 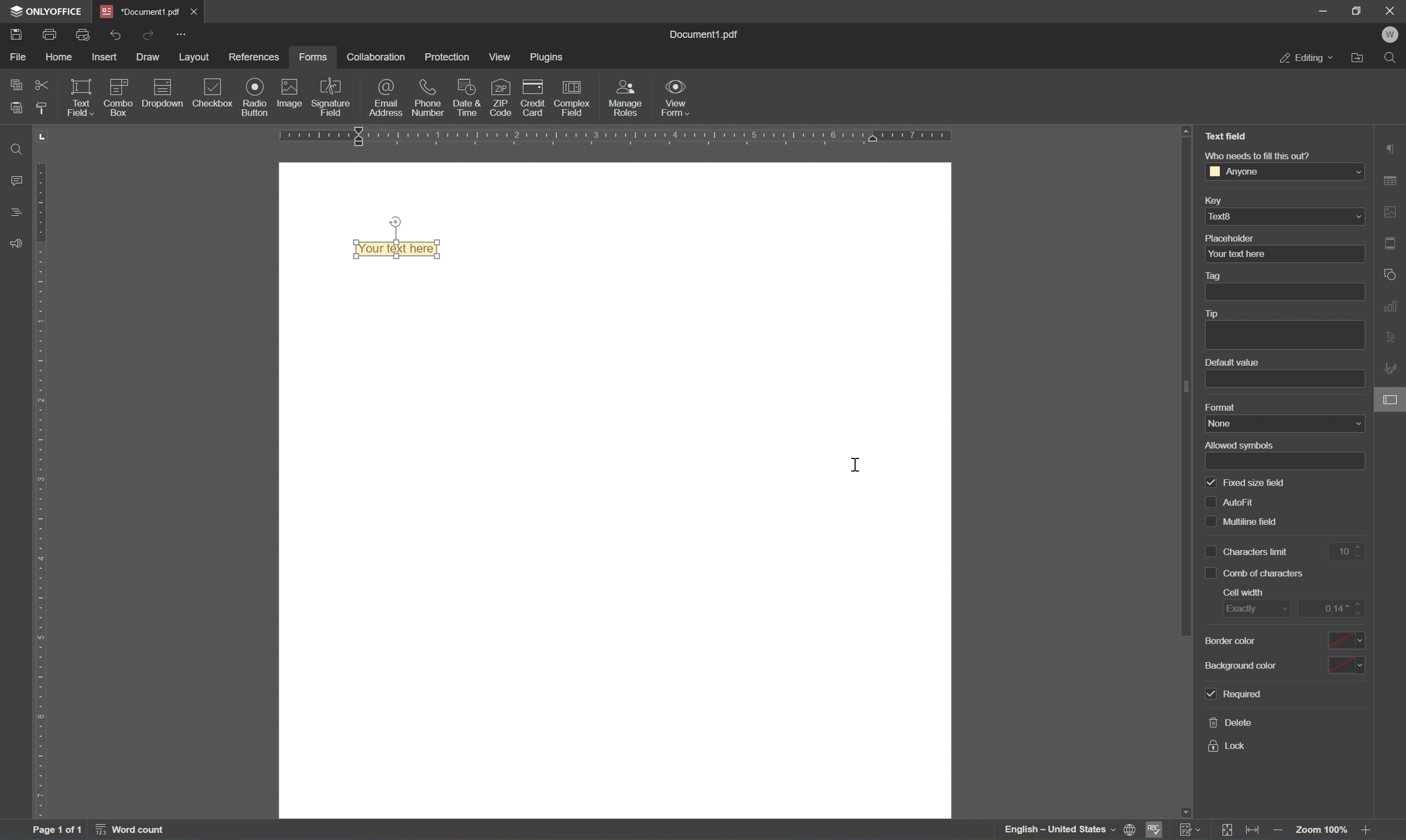 What do you see at coordinates (1283, 424) in the screenshot?
I see `none` at bounding box center [1283, 424].